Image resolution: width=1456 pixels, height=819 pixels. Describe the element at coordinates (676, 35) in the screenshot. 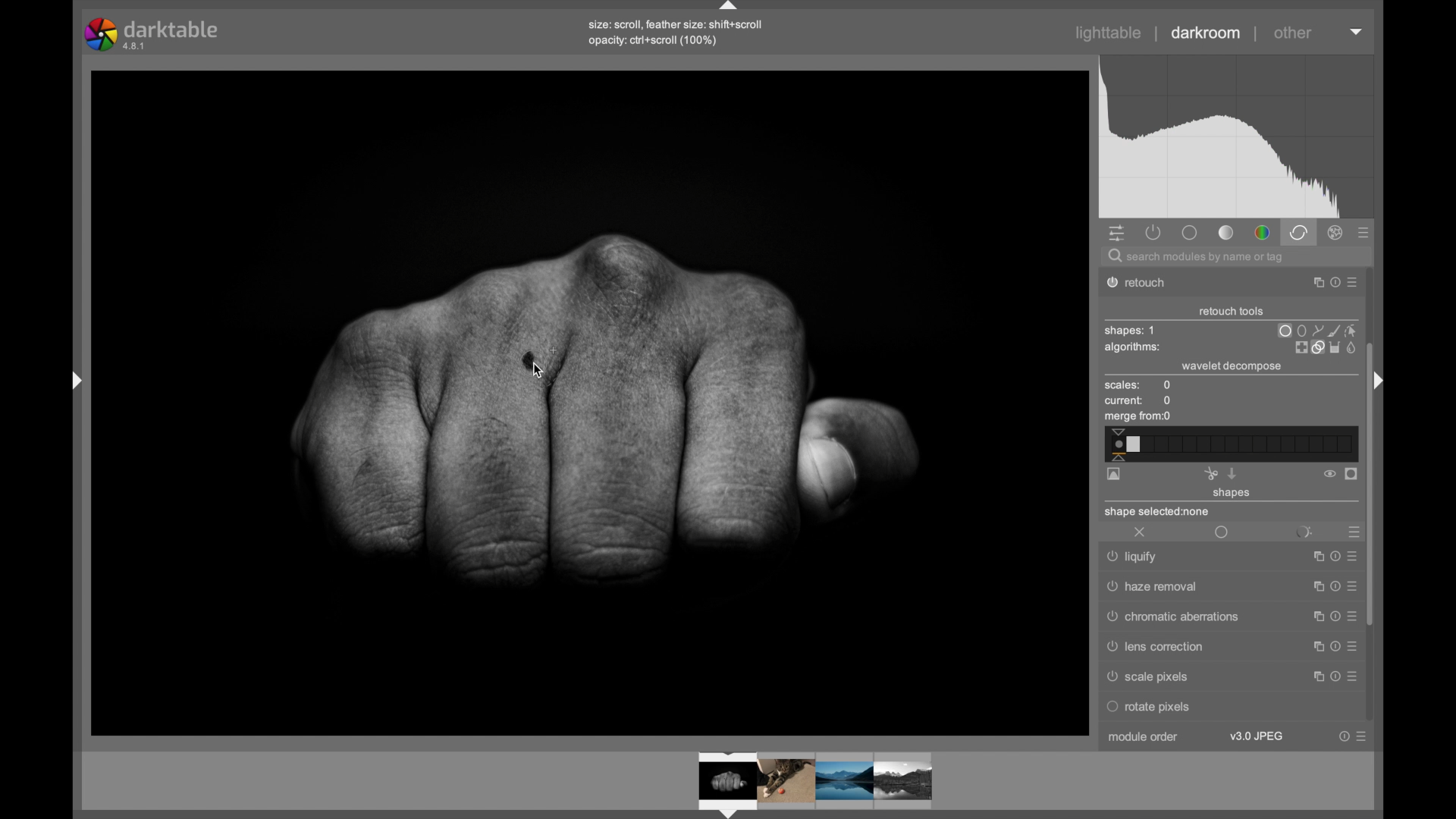

I see `size: scroll, feather size: shift+scrollopacity: ctrl+scroll (100%)` at that location.